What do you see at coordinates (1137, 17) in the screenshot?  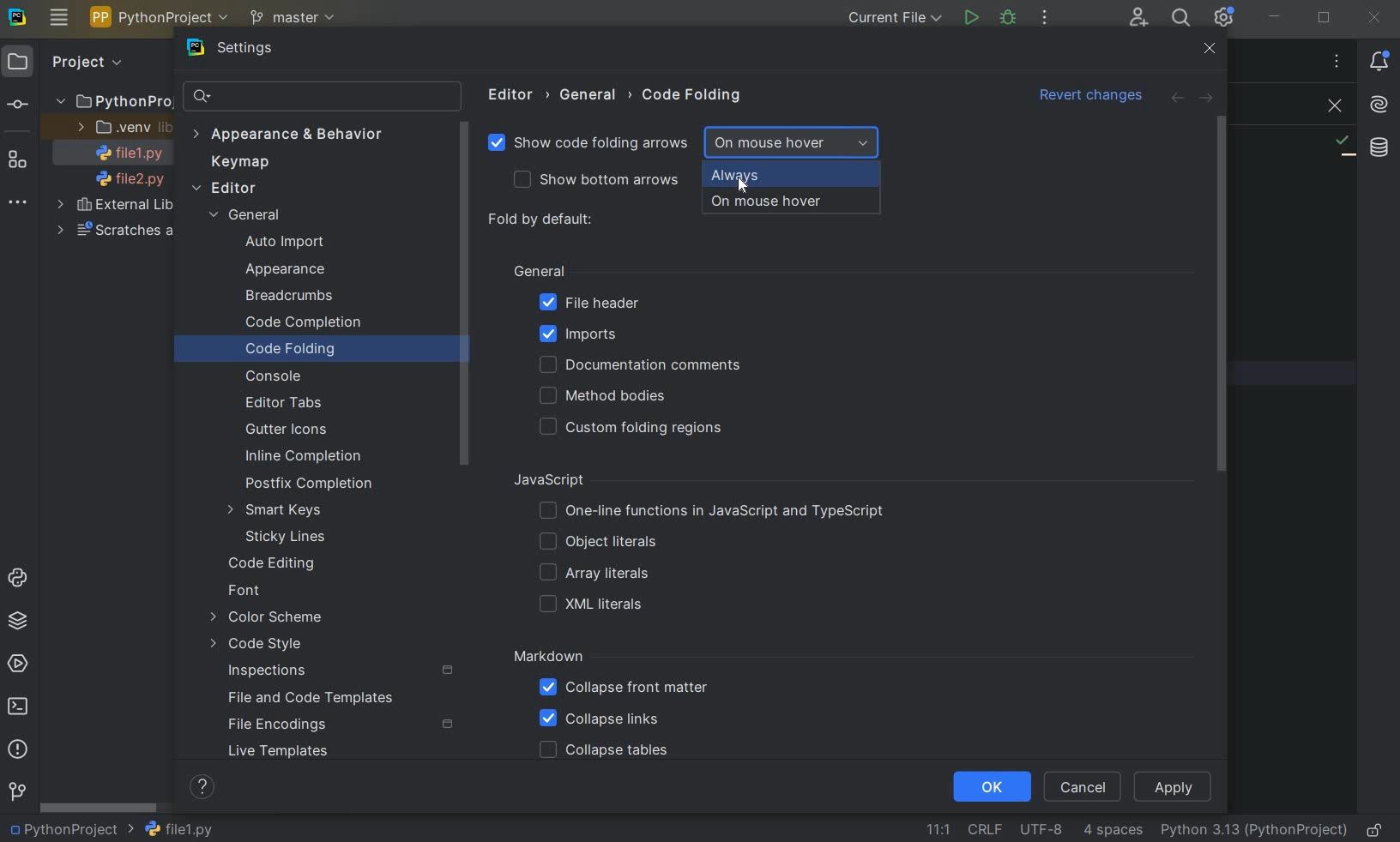 I see `CODE WITH ME` at bounding box center [1137, 17].